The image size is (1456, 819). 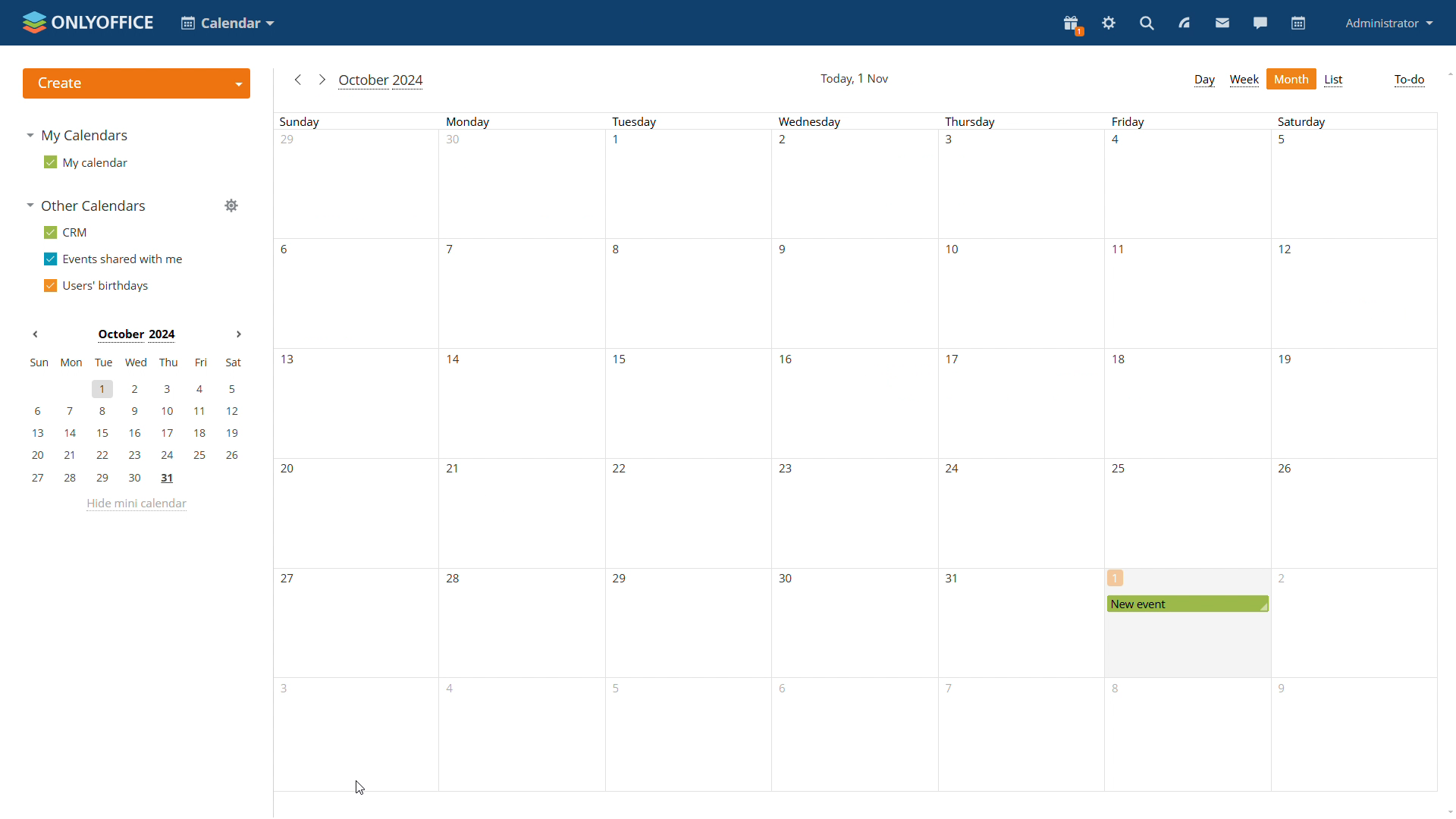 What do you see at coordinates (1299, 24) in the screenshot?
I see `calendar` at bounding box center [1299, 24].